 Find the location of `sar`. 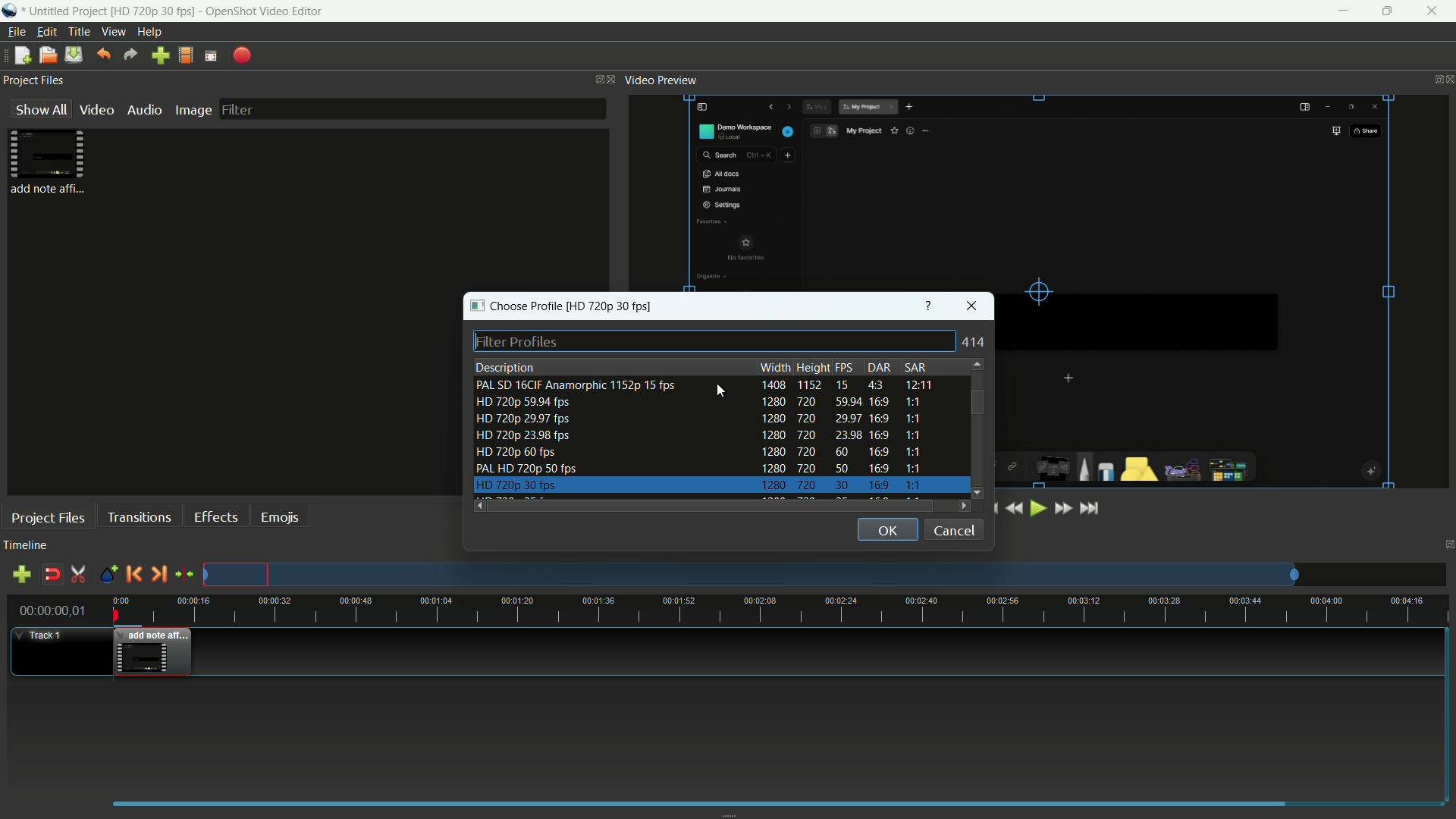

sar is located at coordinates (915, 367).